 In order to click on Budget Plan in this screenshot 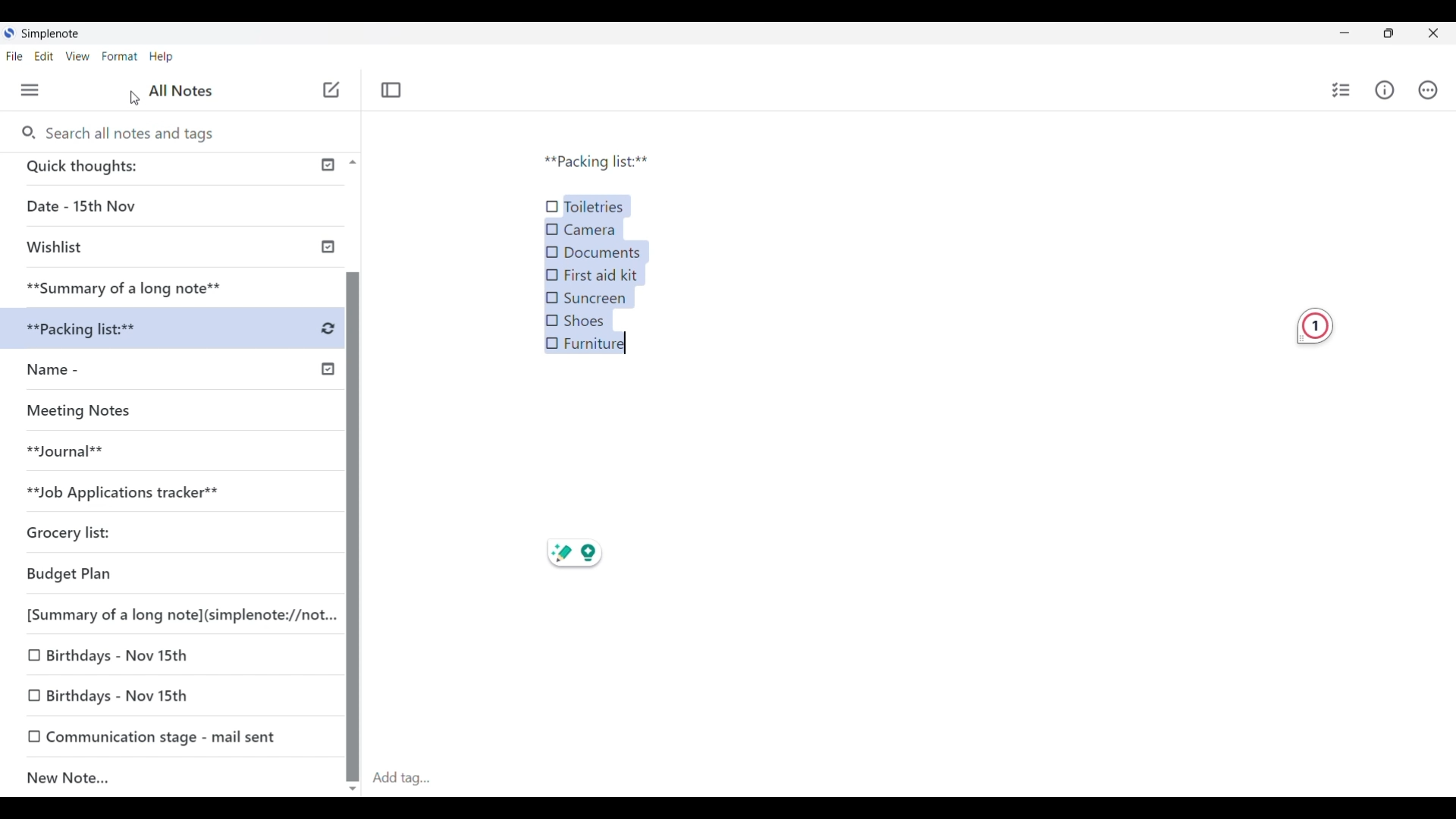, I will do `click(115, 575)`.